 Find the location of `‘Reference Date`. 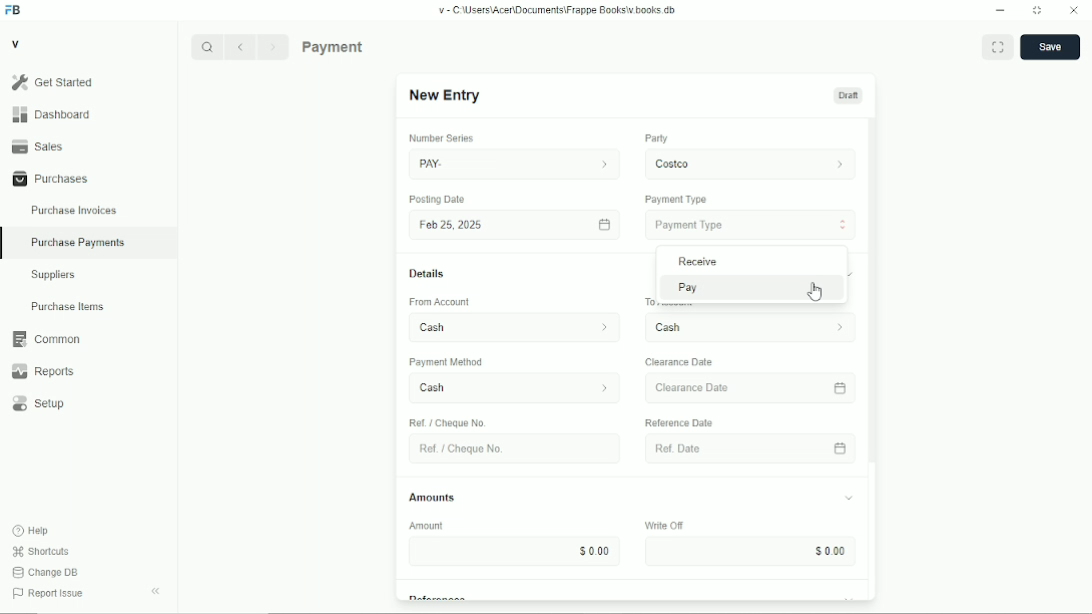

‘Reference Date is located at coordinates (682, 422).